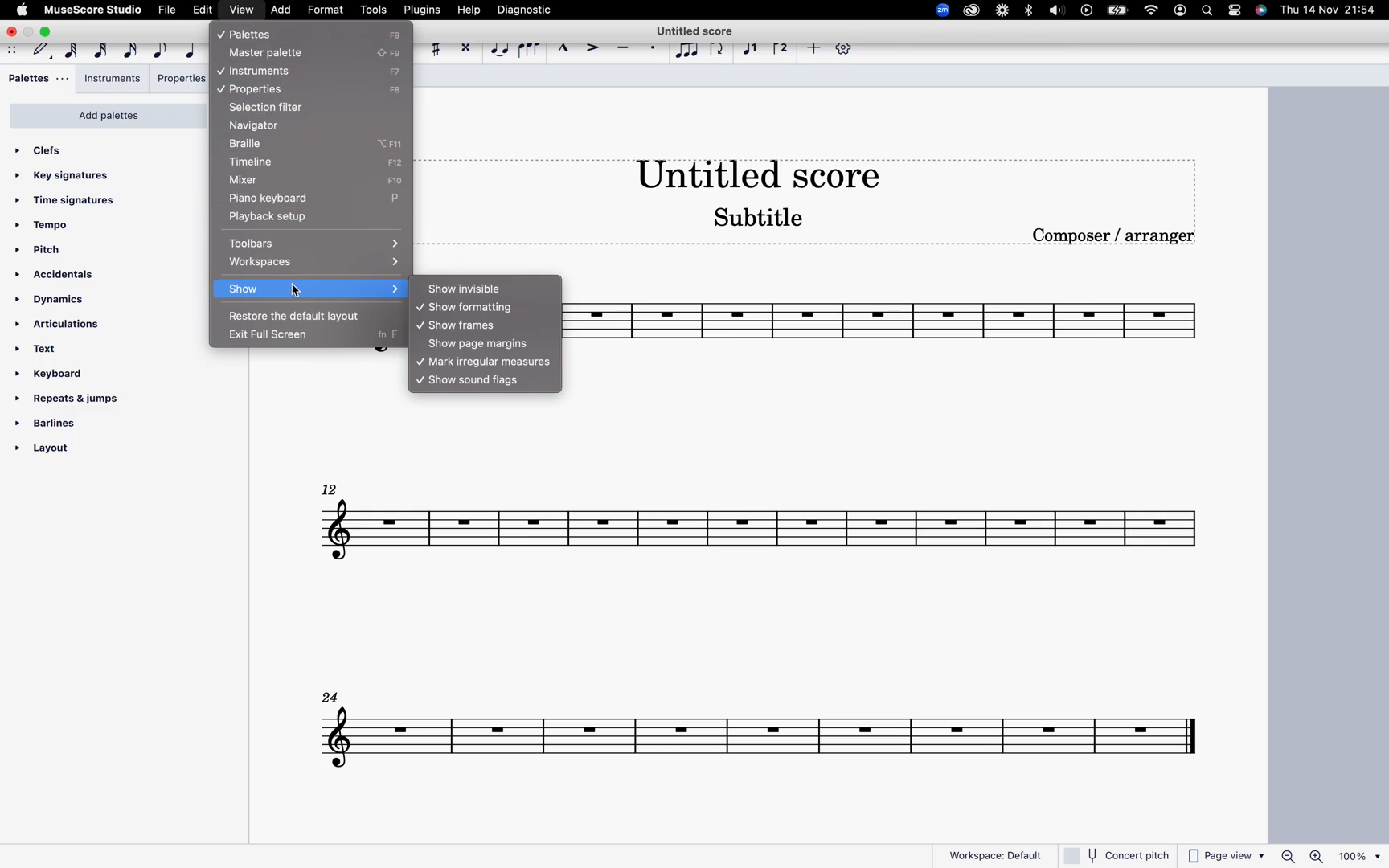 The width and height of the screenshot is (1389, 868). Describe the element at coordinates (396, 34) in the screenshot. I see `F9` at that location.